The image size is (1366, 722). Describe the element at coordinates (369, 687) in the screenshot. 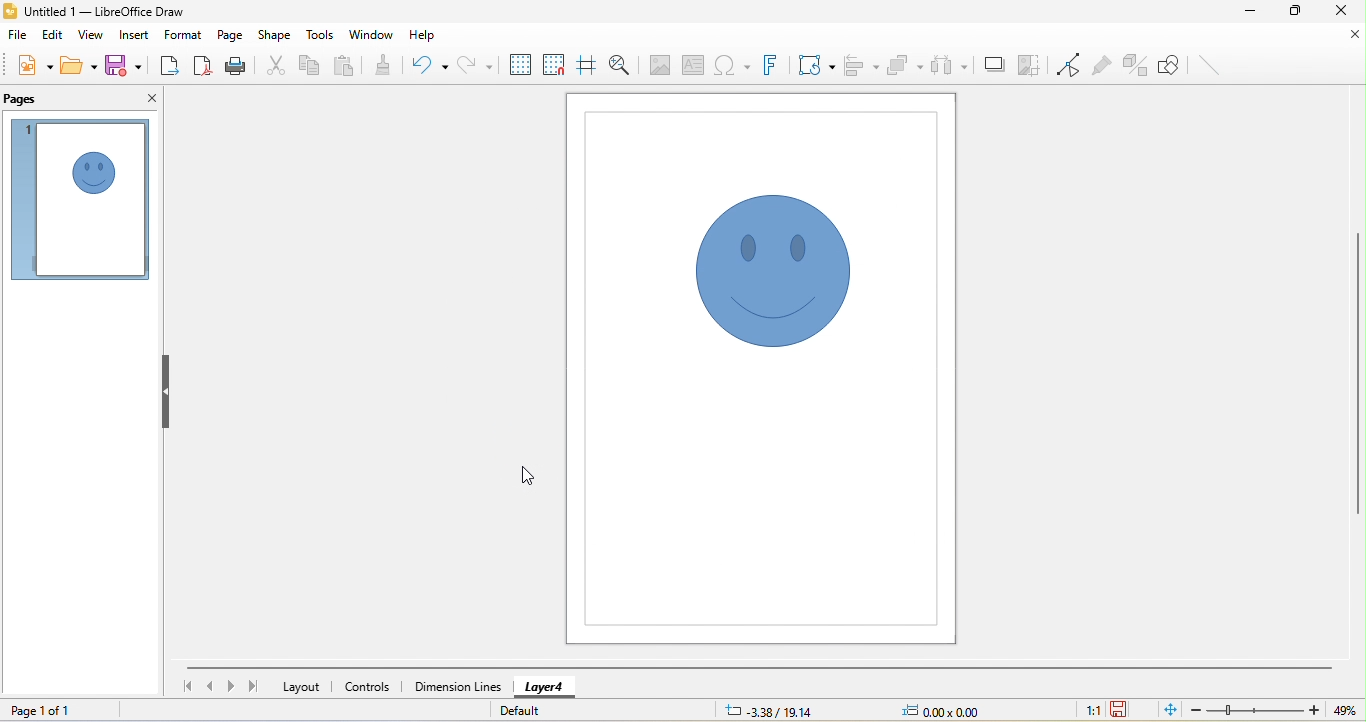

I see `controls` at that location.